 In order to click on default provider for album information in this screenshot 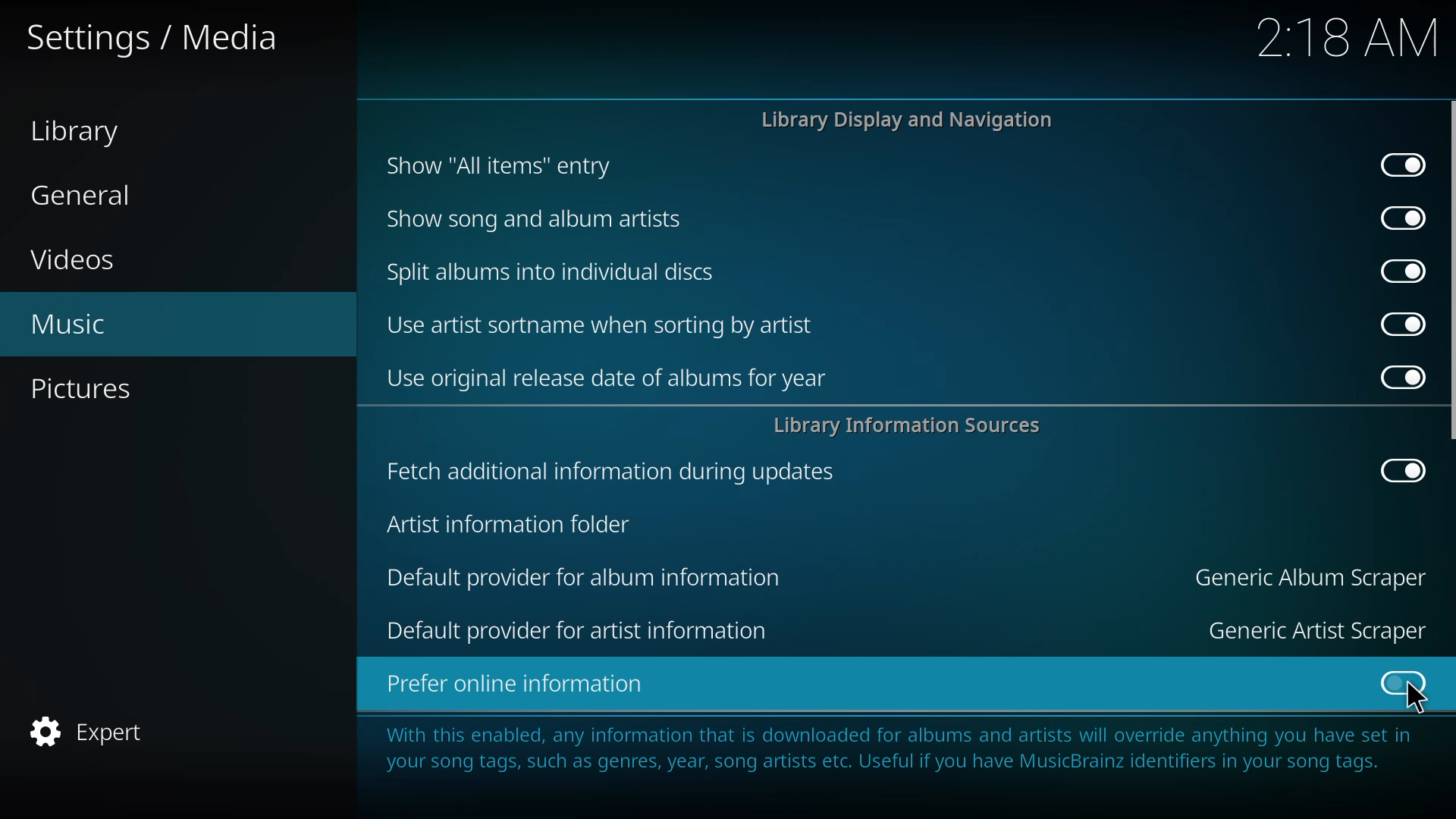, I will do `click(582, 576)`.